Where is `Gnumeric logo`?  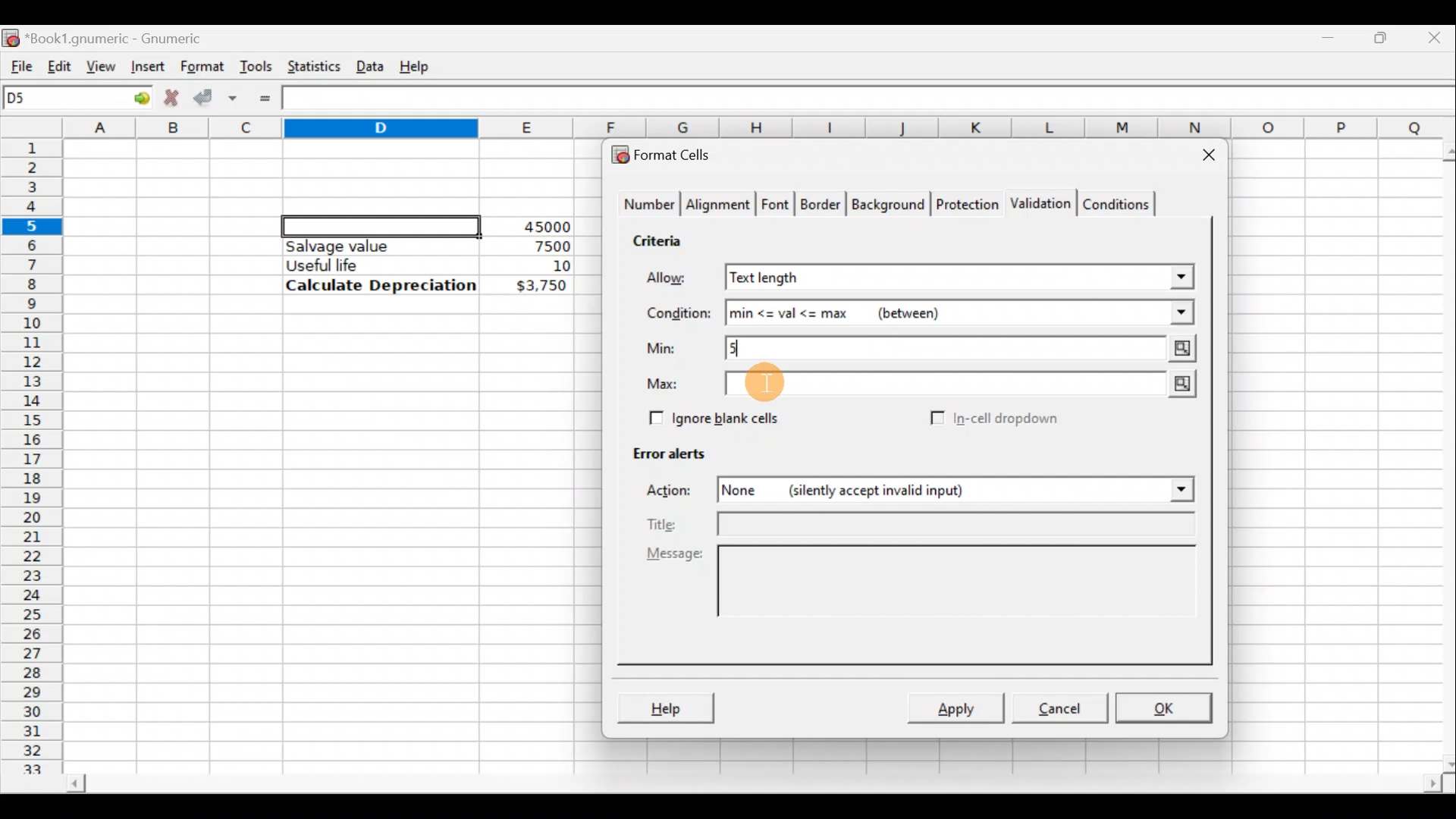 Gnumeric logo is located at coordinates (11, 36).